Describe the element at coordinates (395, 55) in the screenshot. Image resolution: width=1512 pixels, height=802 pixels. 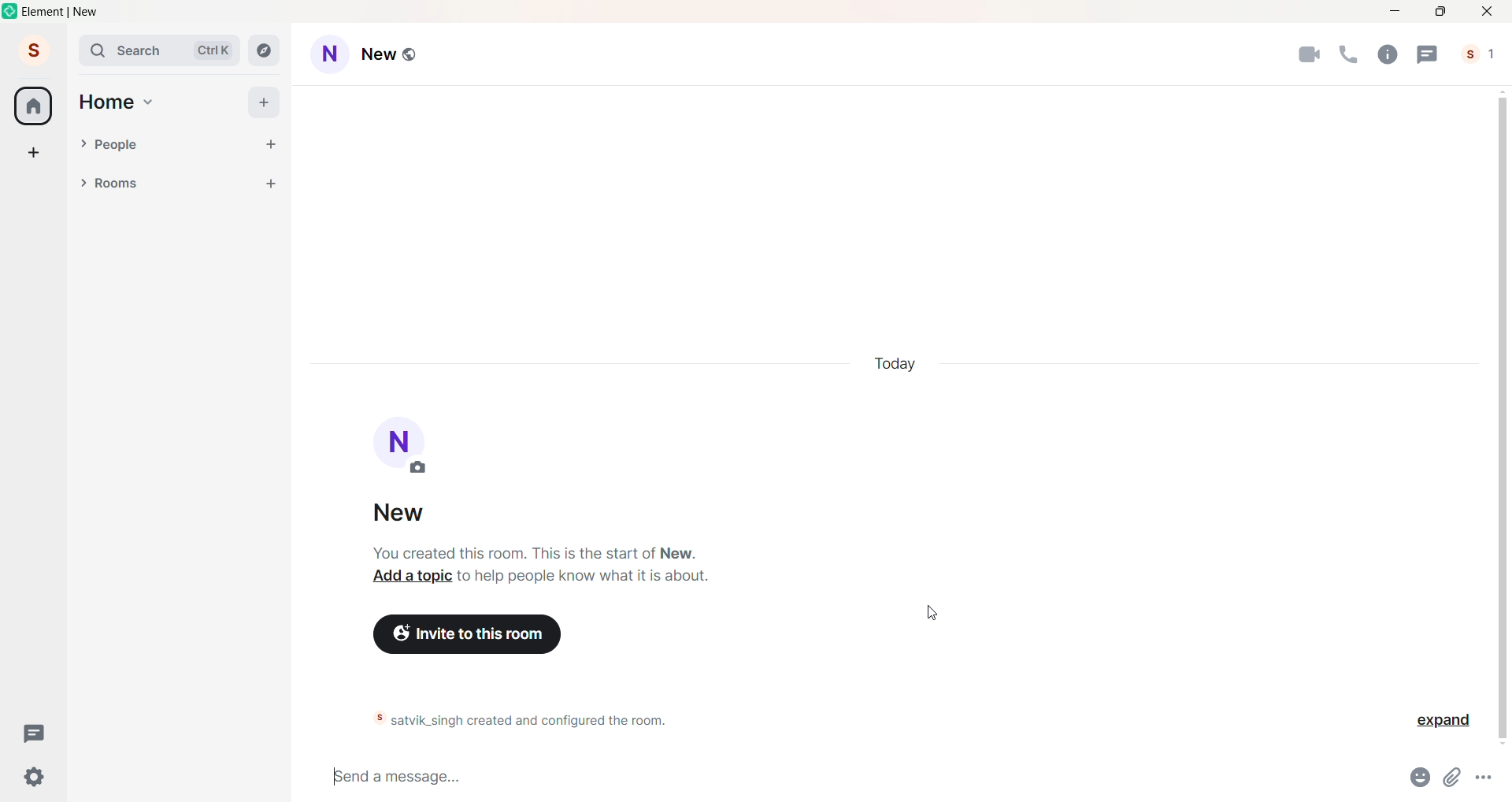
I see `Room Name` at that location.